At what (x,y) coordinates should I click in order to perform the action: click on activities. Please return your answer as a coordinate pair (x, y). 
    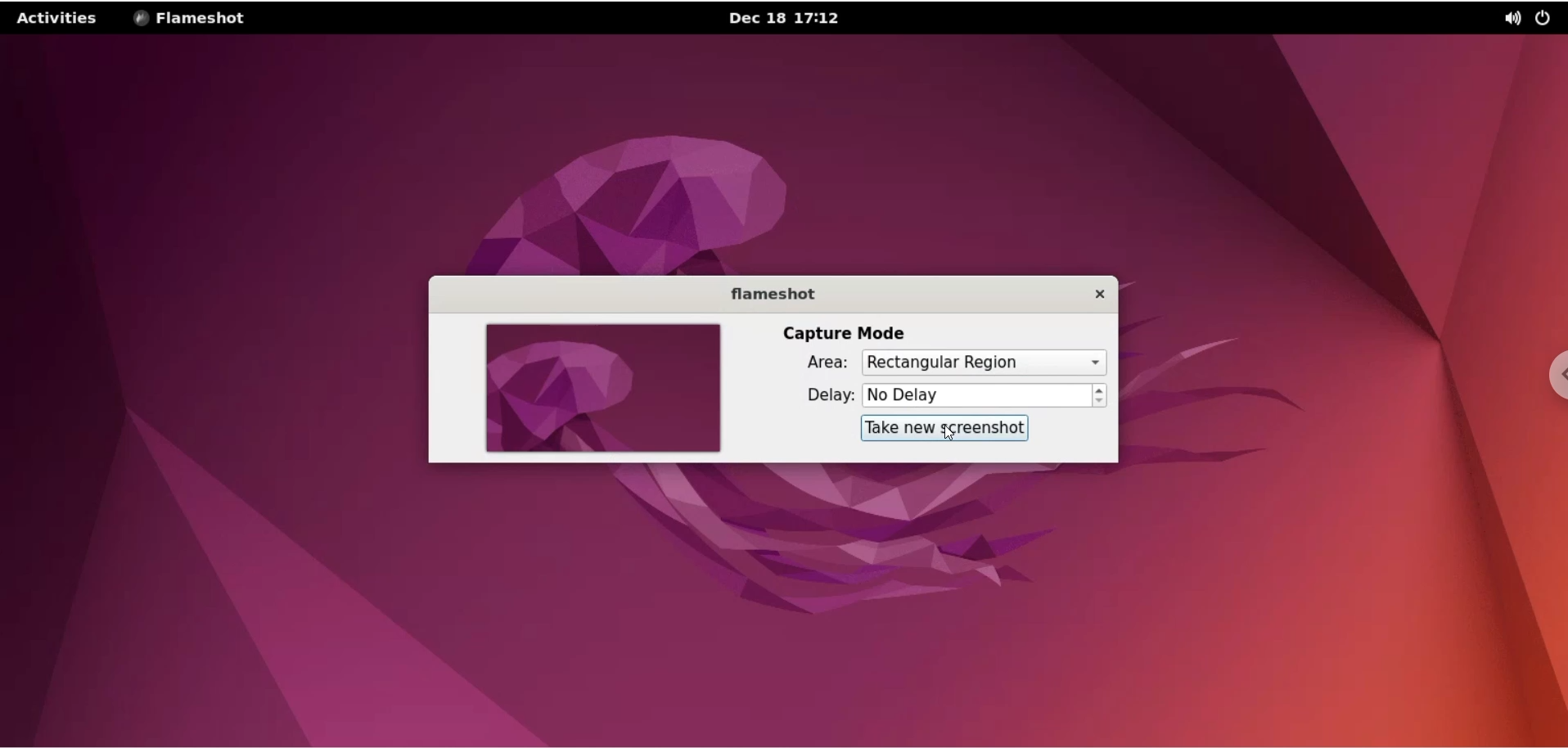
    Looking at the image, I should click on (60, 20).